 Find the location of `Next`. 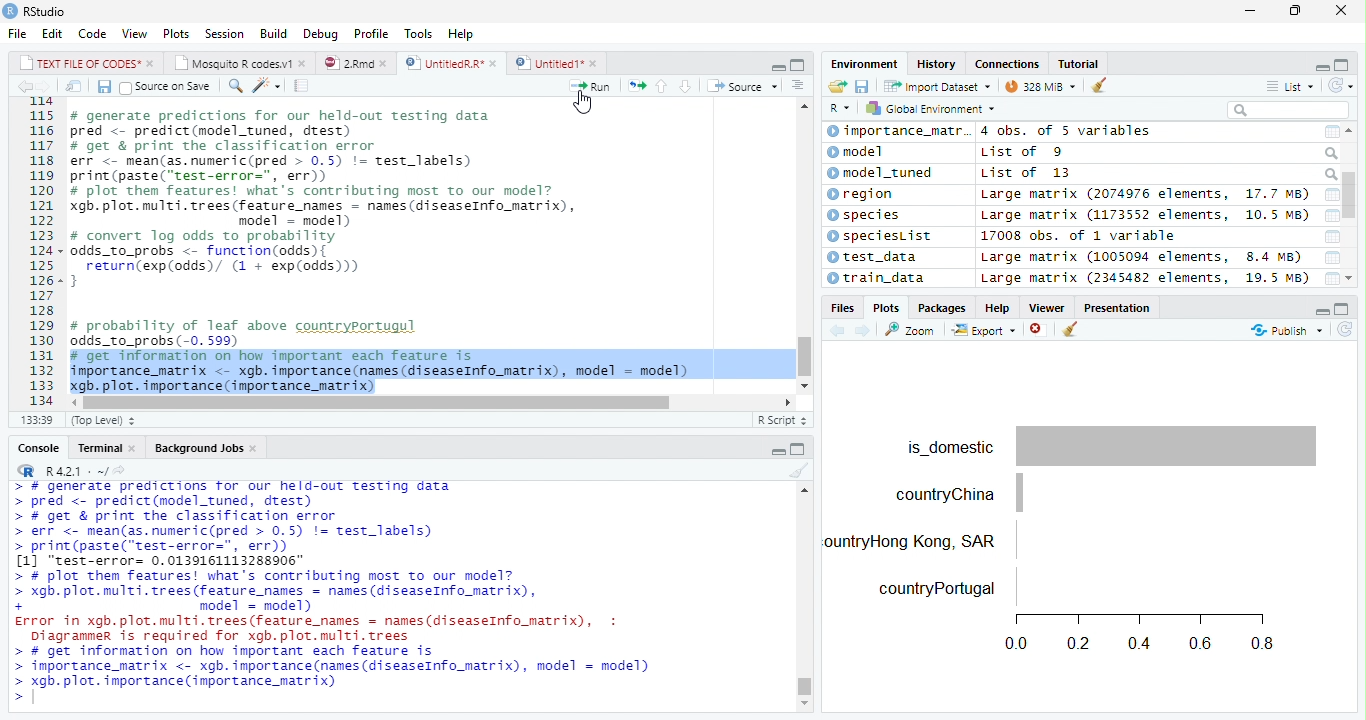

Next is located at coordinates (862, 331).